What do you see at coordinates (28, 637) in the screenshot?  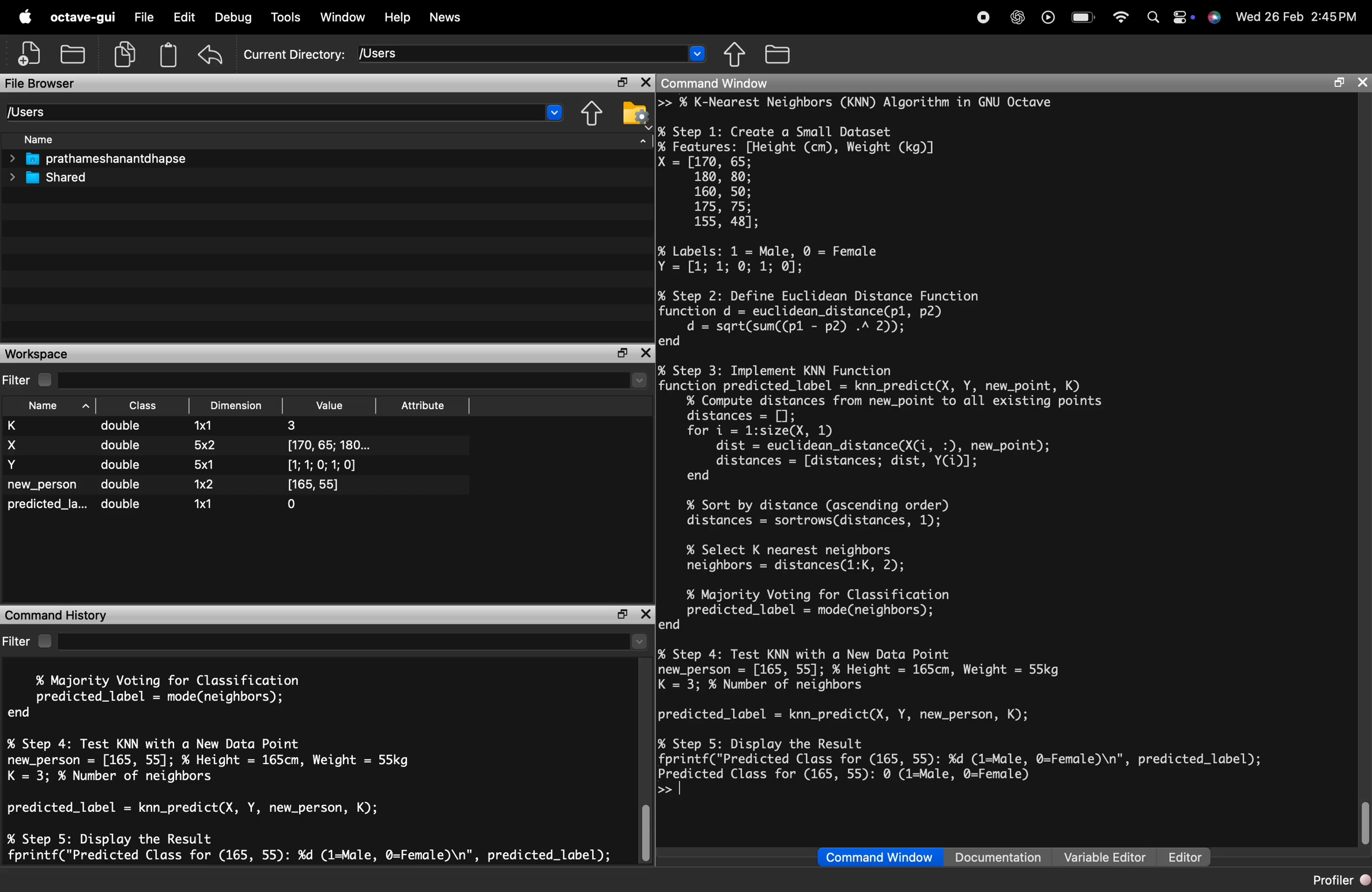 I see `Filter` at bounding box center [28, 637].